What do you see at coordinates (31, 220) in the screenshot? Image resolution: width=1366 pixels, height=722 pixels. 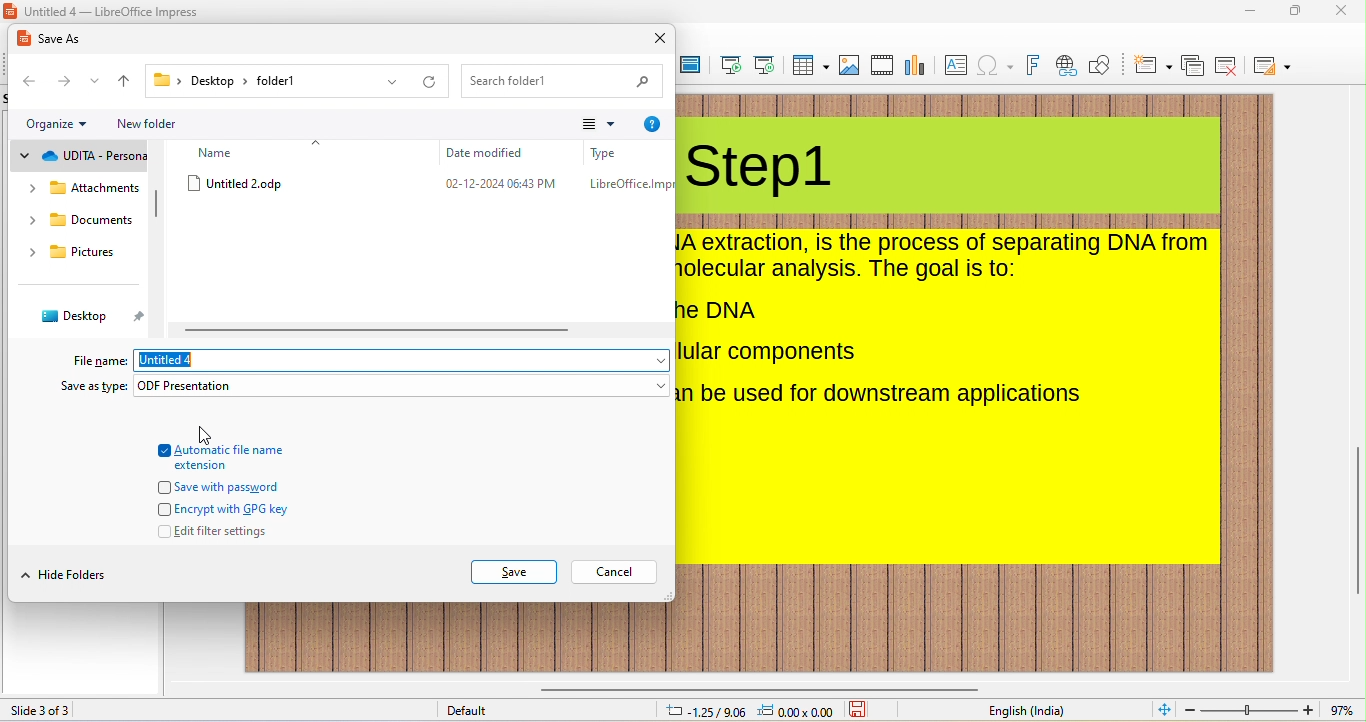 I see `drop down` at bounding box center [31, 220].